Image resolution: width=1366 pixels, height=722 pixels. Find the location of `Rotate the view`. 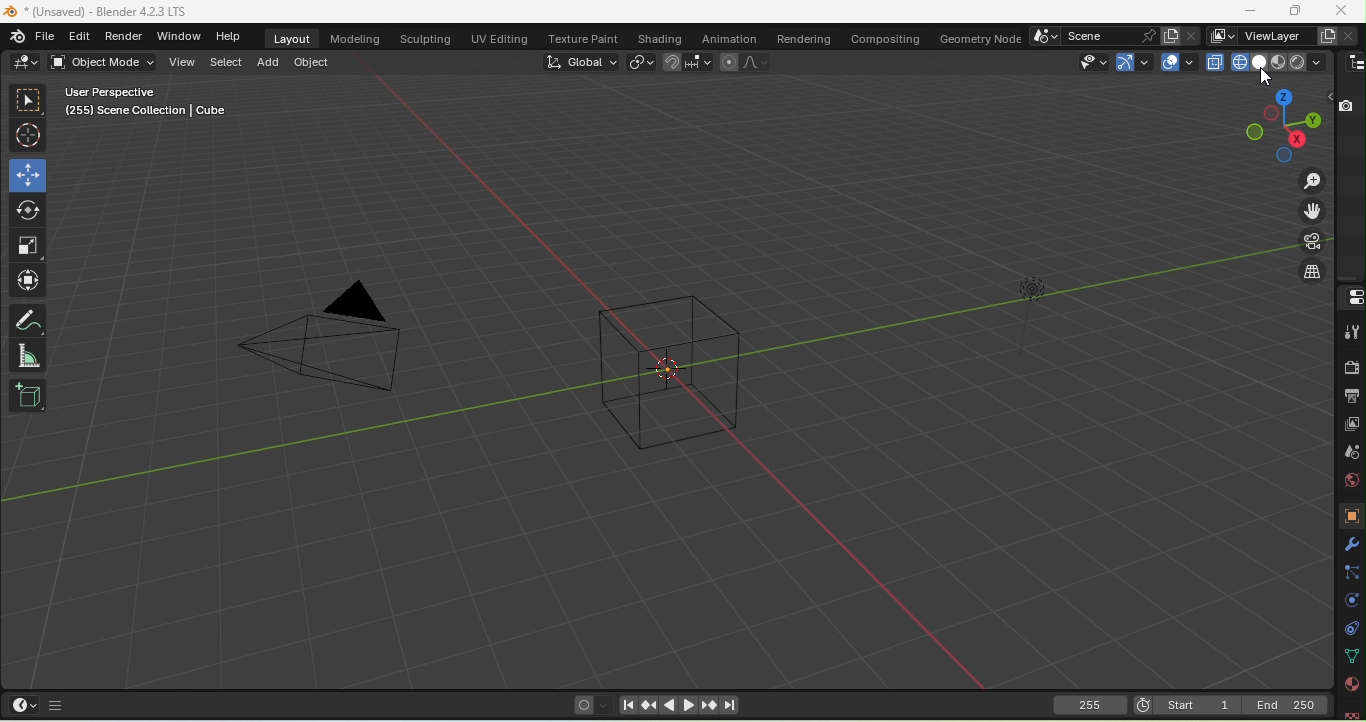

Rotate the view is located at coordinates (1271, 113).